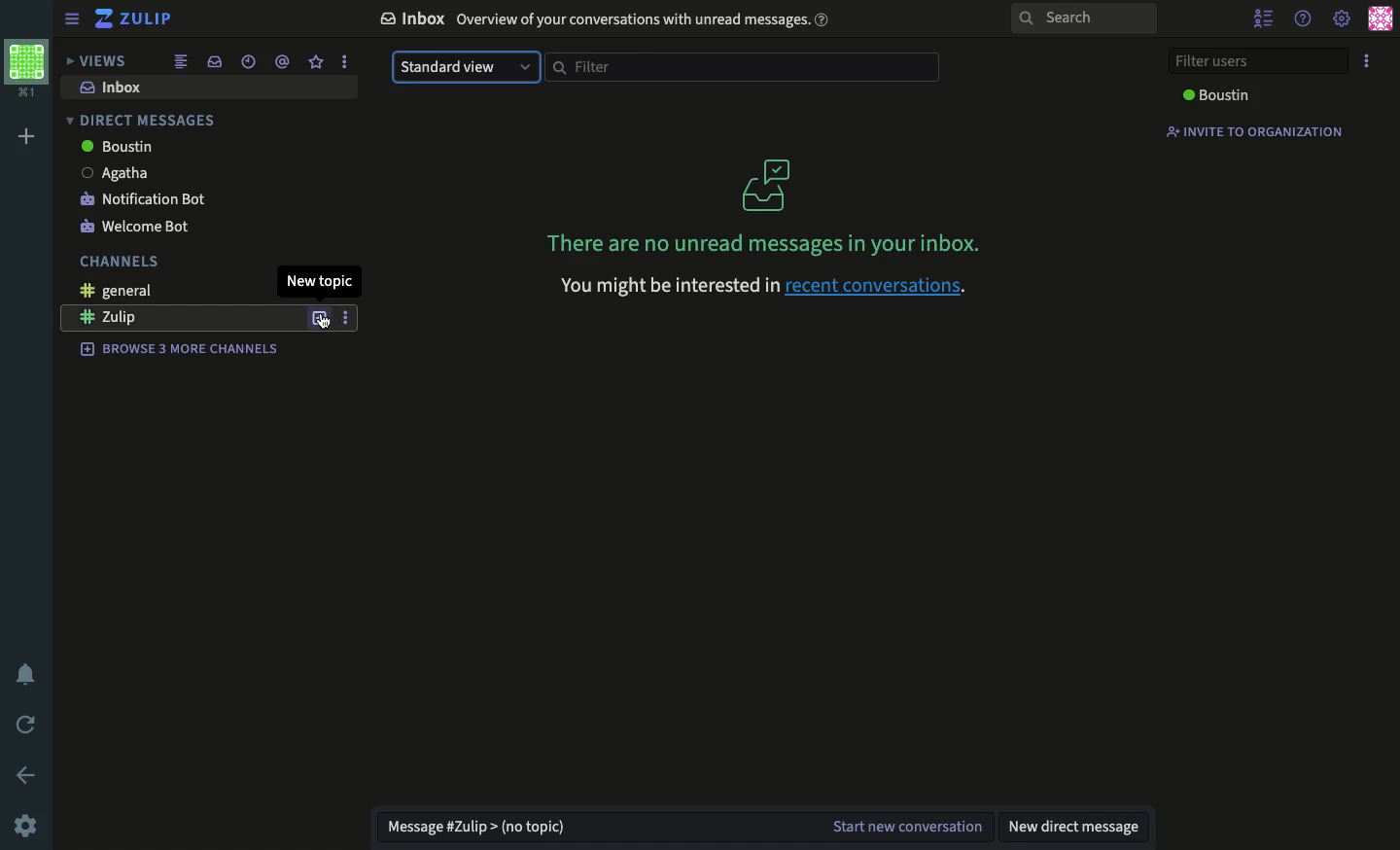 This screenshot has width=1400, height=850. Describe the element at coordinates (879, 289) in the screenshot. I see `recent conversations` at that location.